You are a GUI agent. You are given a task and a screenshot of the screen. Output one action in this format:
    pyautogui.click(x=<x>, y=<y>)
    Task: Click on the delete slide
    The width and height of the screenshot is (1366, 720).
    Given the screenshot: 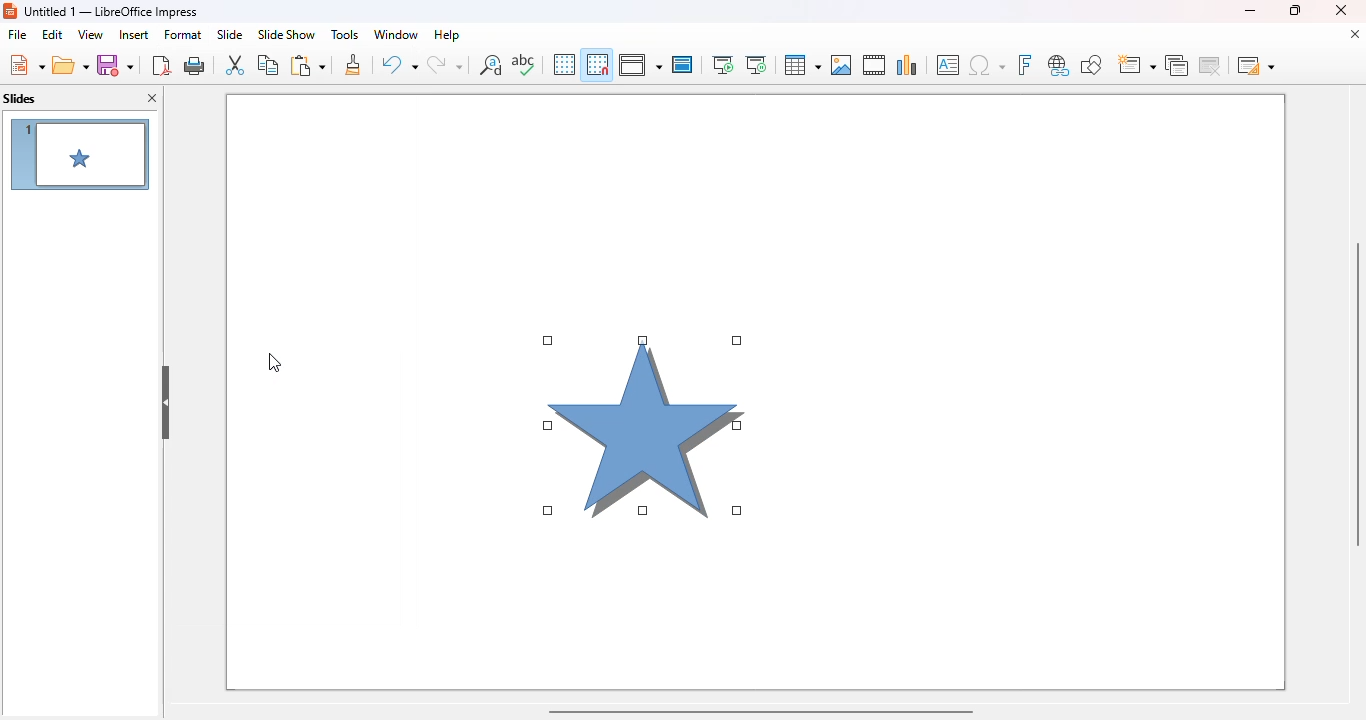 What is the action you would take?
    pyautogui.click(x=1213, y=65)
    